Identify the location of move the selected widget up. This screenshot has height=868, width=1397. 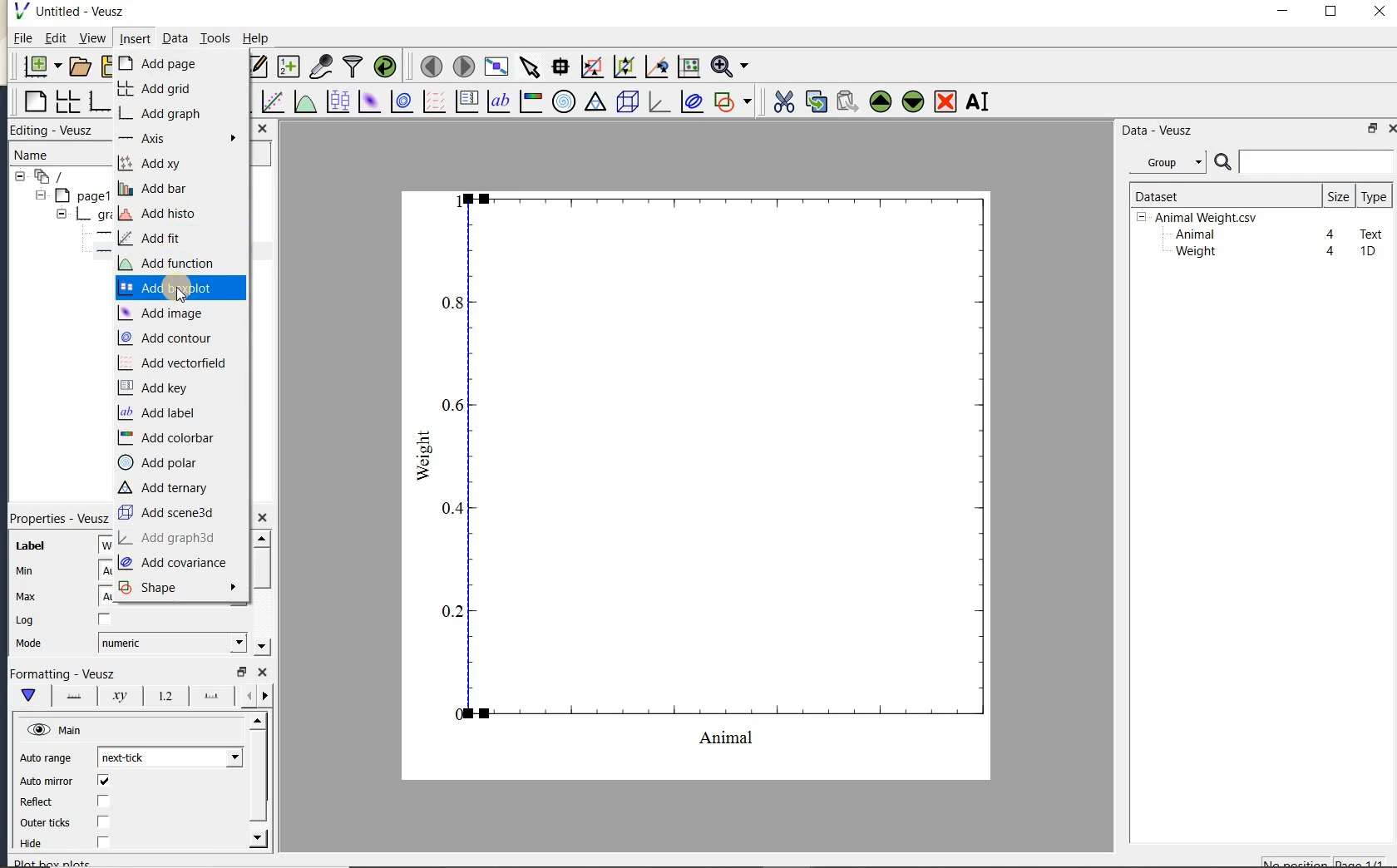
(881, 102).